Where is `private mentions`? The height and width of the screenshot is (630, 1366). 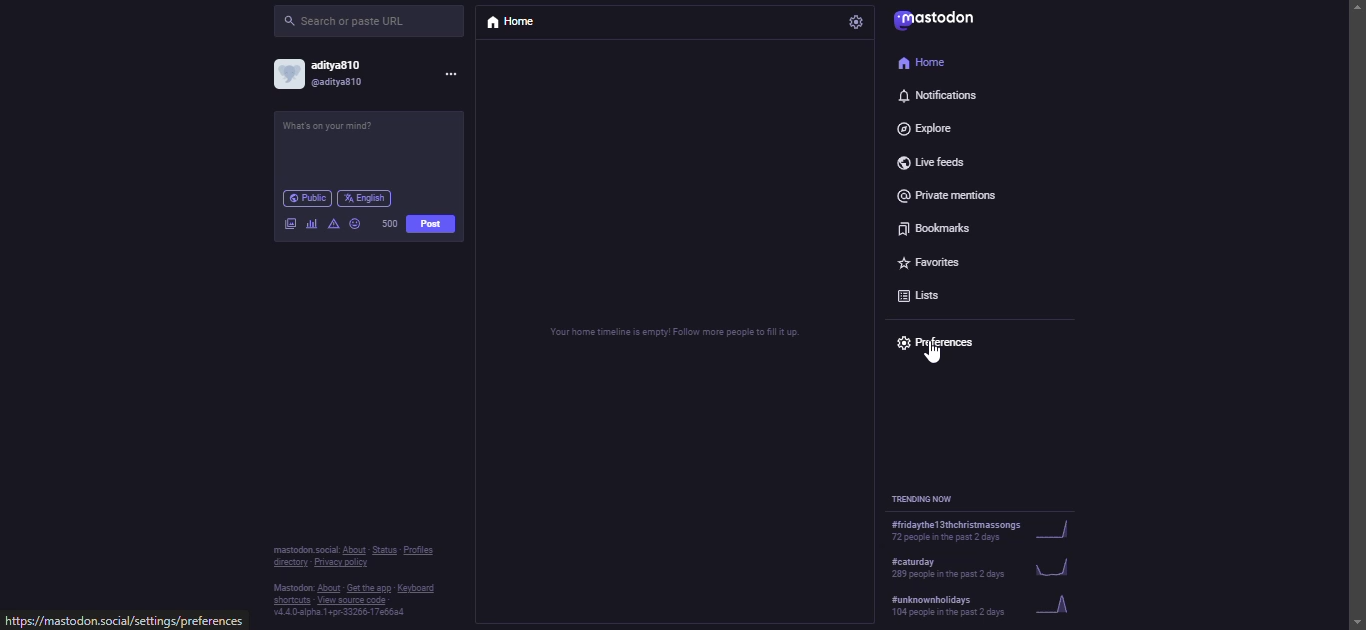
private mentions is located at coordinates (945, 193).